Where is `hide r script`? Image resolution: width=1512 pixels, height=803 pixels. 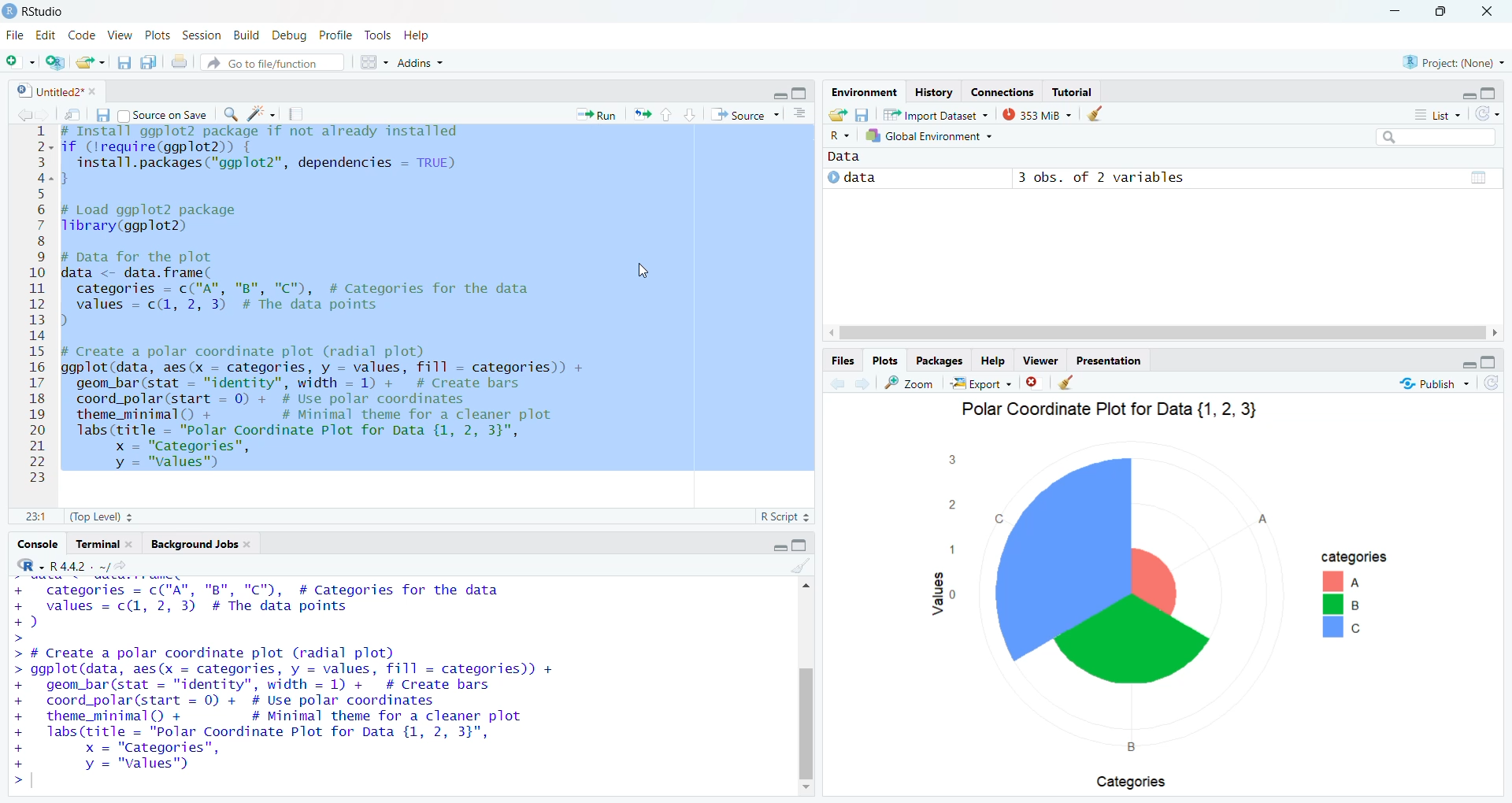
hide r script is located at coordinates (1462, 92).